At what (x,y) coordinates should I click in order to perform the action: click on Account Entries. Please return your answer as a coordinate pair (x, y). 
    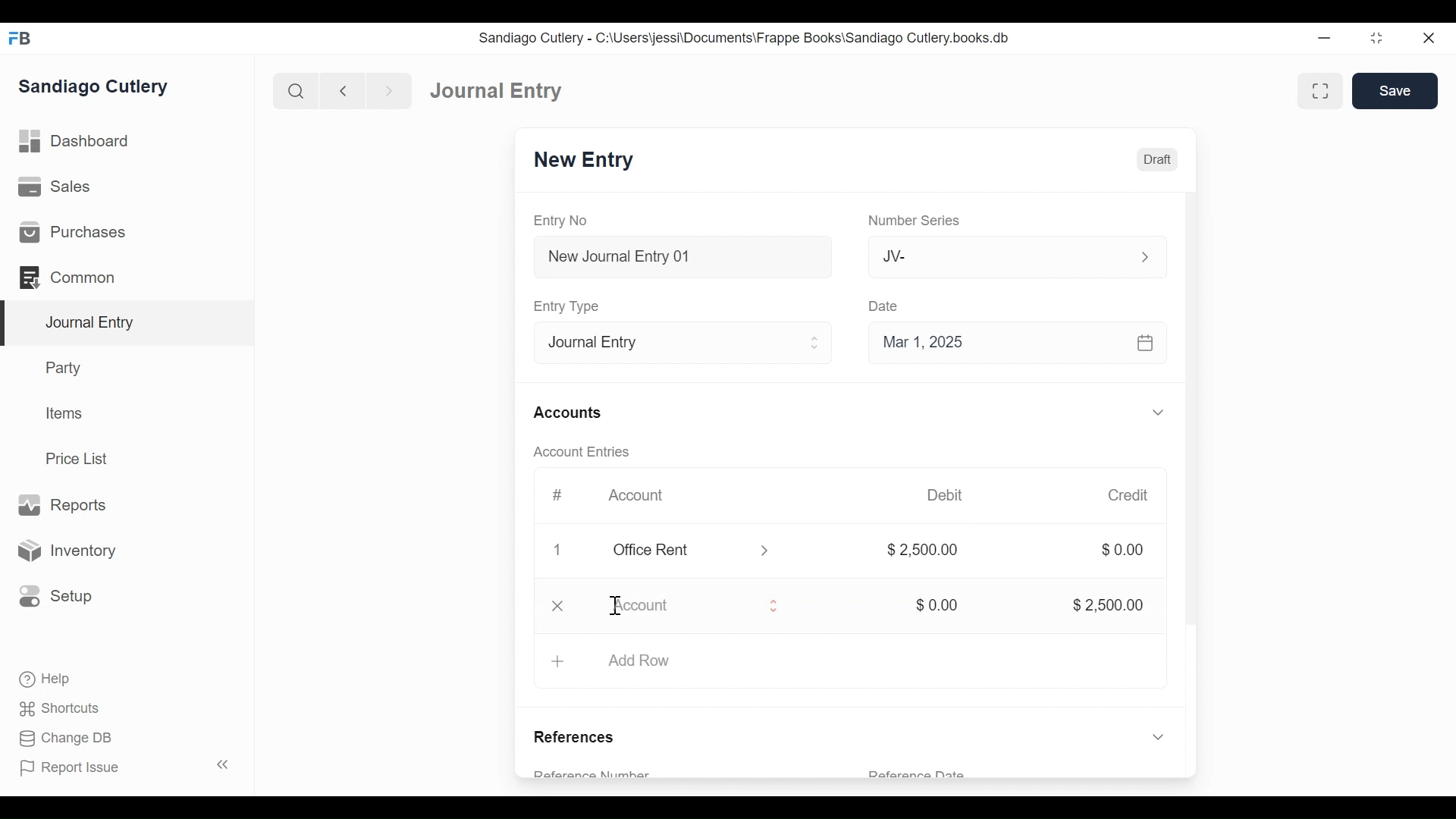
    Looking at the image, I should click on (576, 452).